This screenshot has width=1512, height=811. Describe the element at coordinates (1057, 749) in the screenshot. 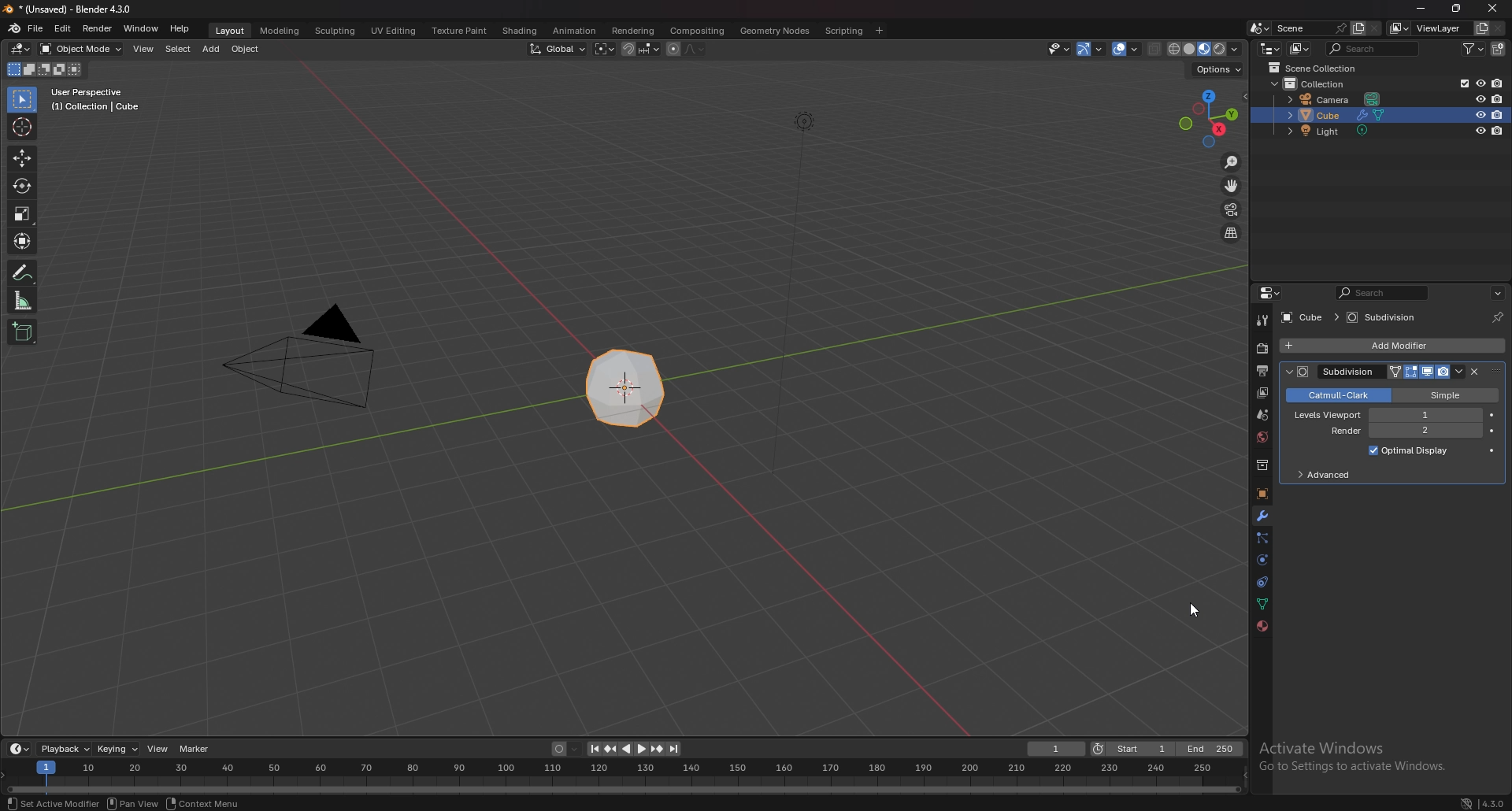

I see `current frame` at that location.